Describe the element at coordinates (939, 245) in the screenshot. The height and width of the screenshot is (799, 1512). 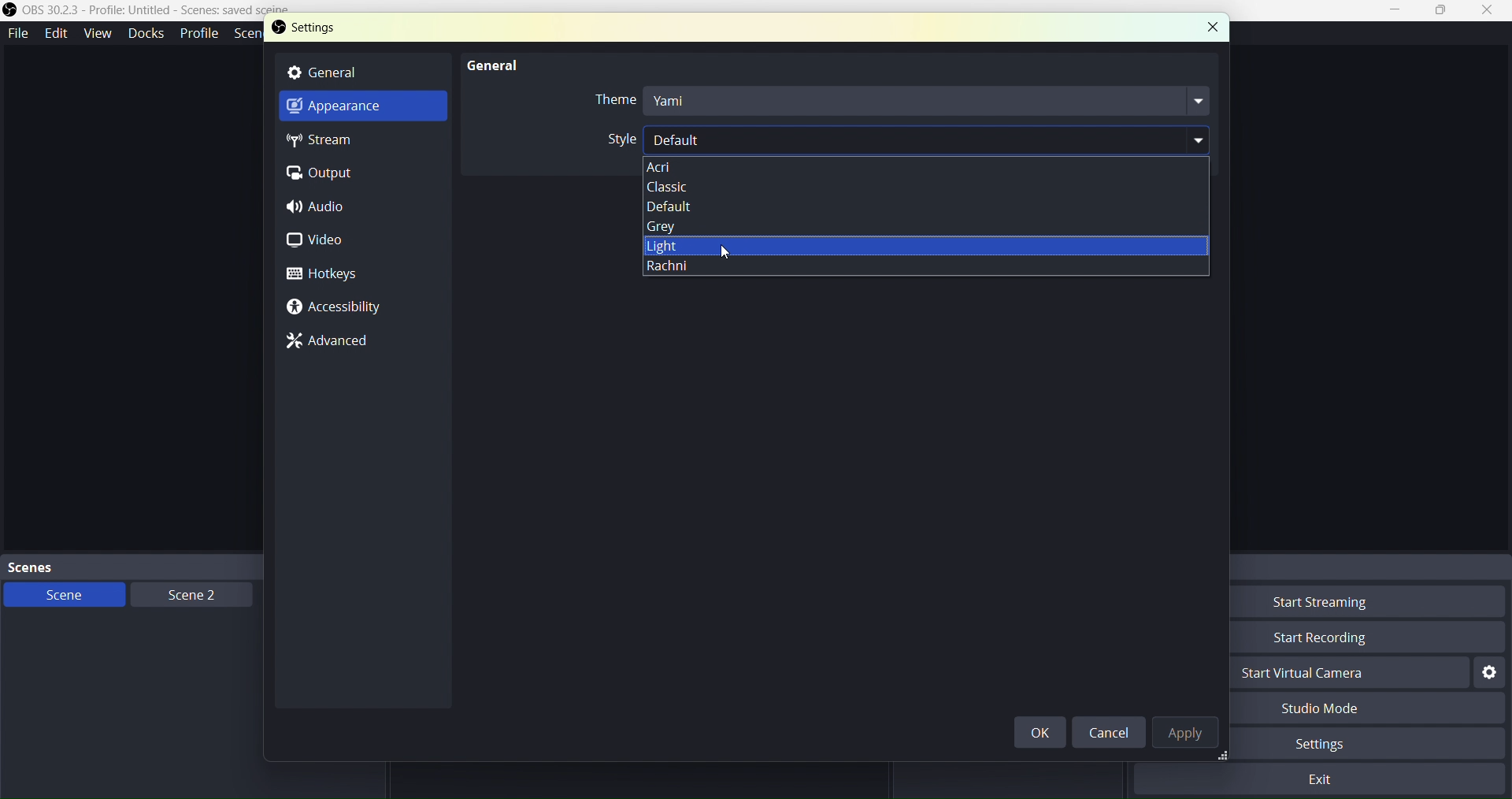
I see `` at that location.